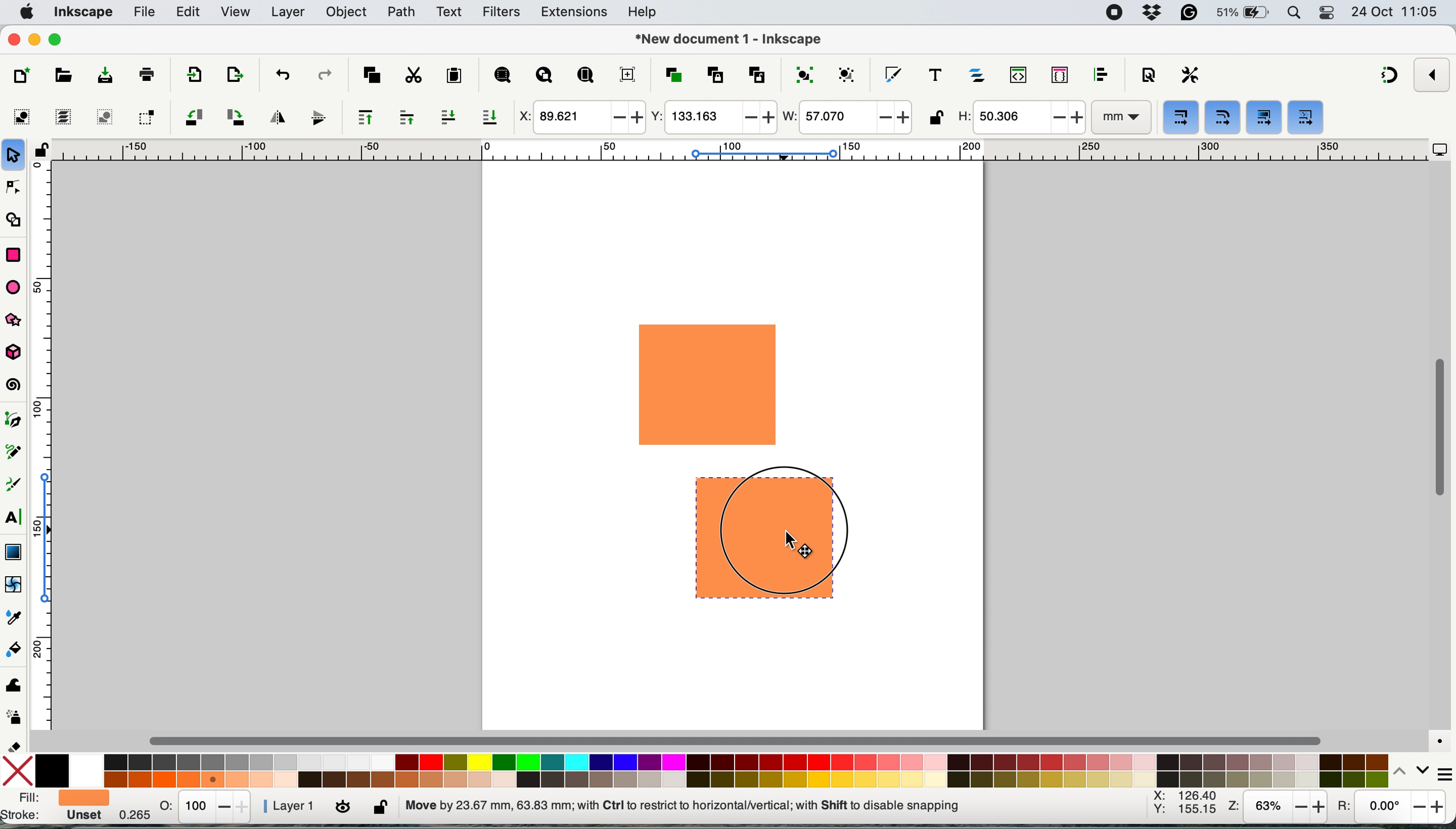 The height and width of the screenshot is (829, 1456). I want to click on spiral tool, so click(15, 386).